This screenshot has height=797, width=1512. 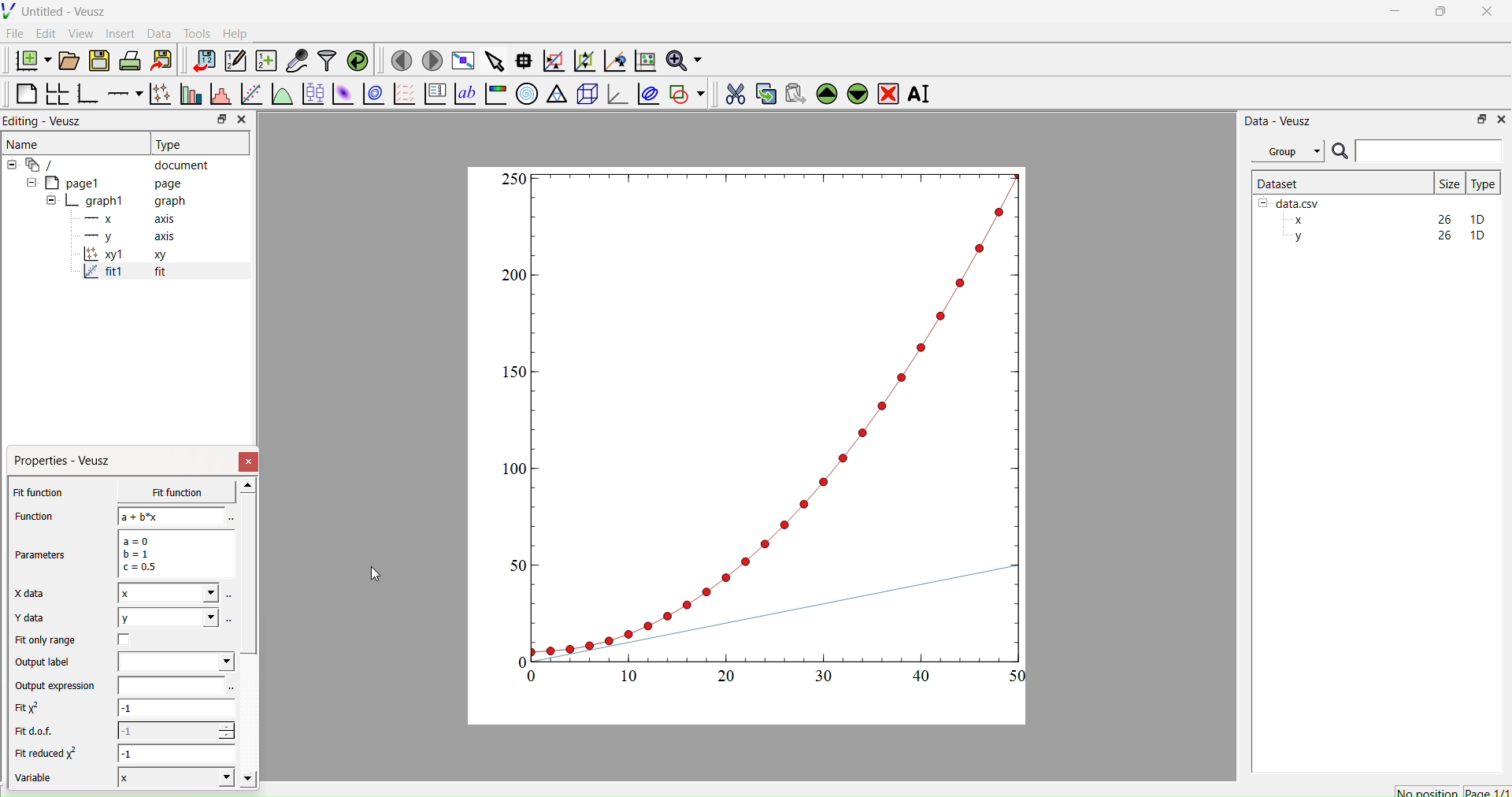 I want to click on Base Graph, so click(x=85, y=95).